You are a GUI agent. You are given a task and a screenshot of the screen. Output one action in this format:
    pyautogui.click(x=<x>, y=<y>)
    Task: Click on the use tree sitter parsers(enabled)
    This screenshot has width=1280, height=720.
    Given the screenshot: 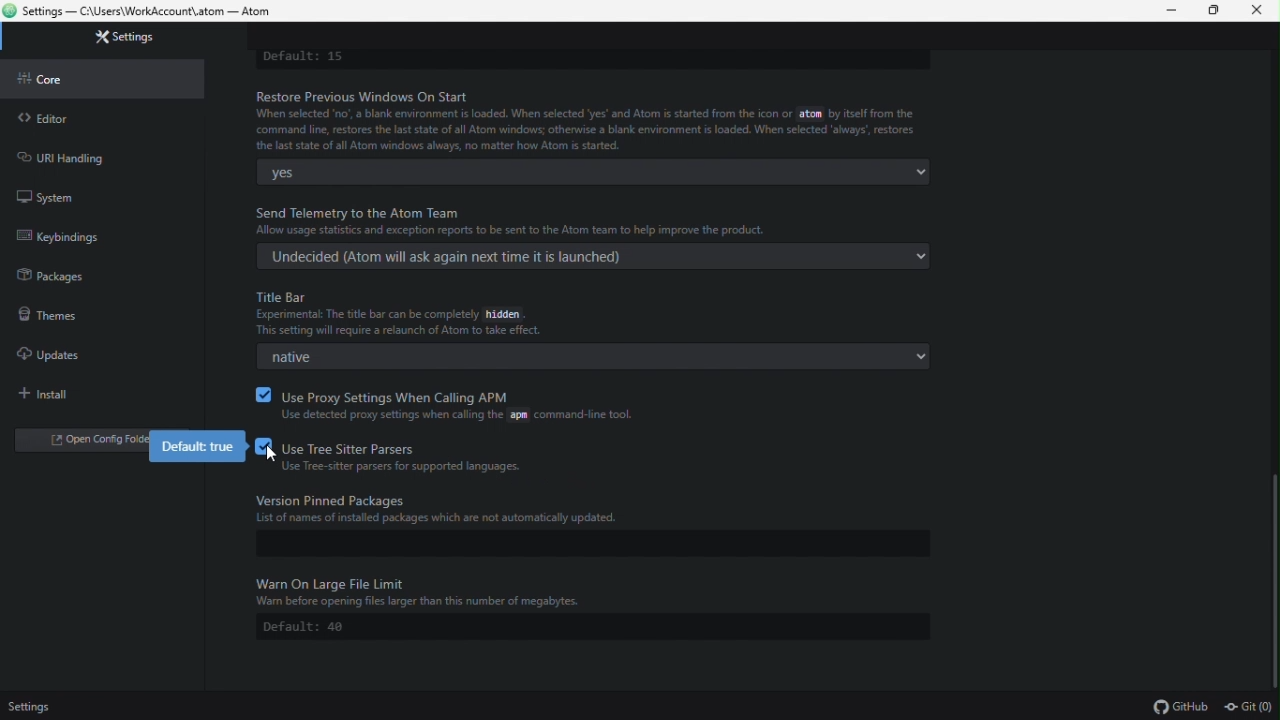 What is the action you would take?
    pyautogui.click(x=406, y=459)
    